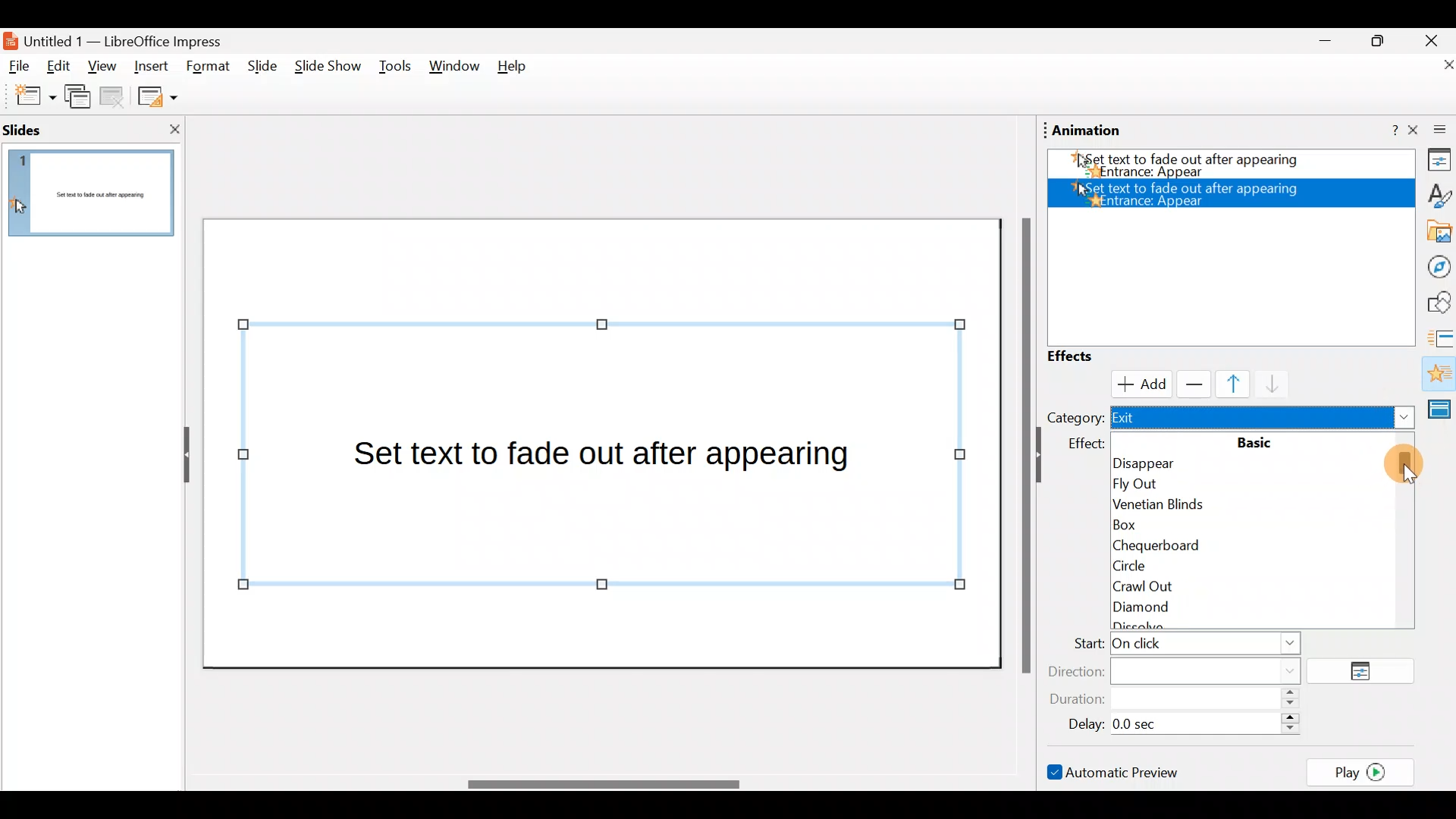  I want to click on Properties, so click(1435, 162).